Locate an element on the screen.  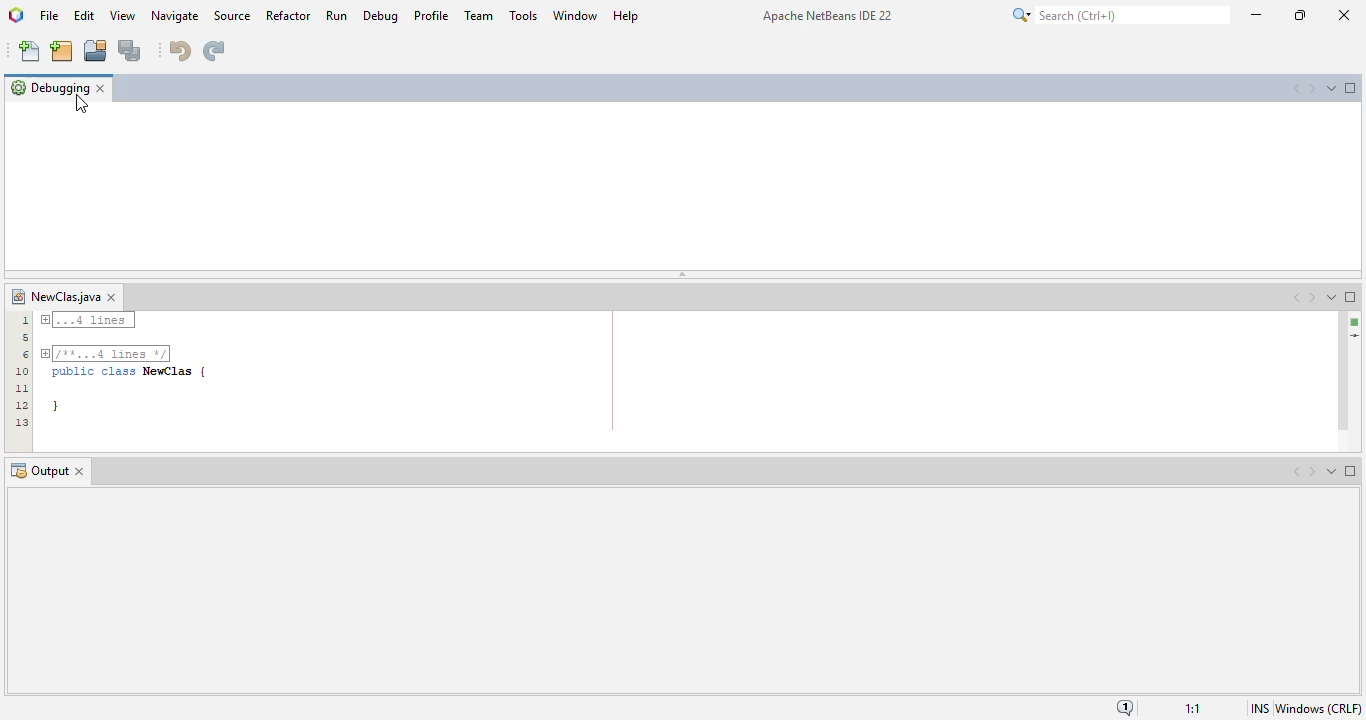
Apache NetBeans IDE 22 is located at coordinates (826, 16).